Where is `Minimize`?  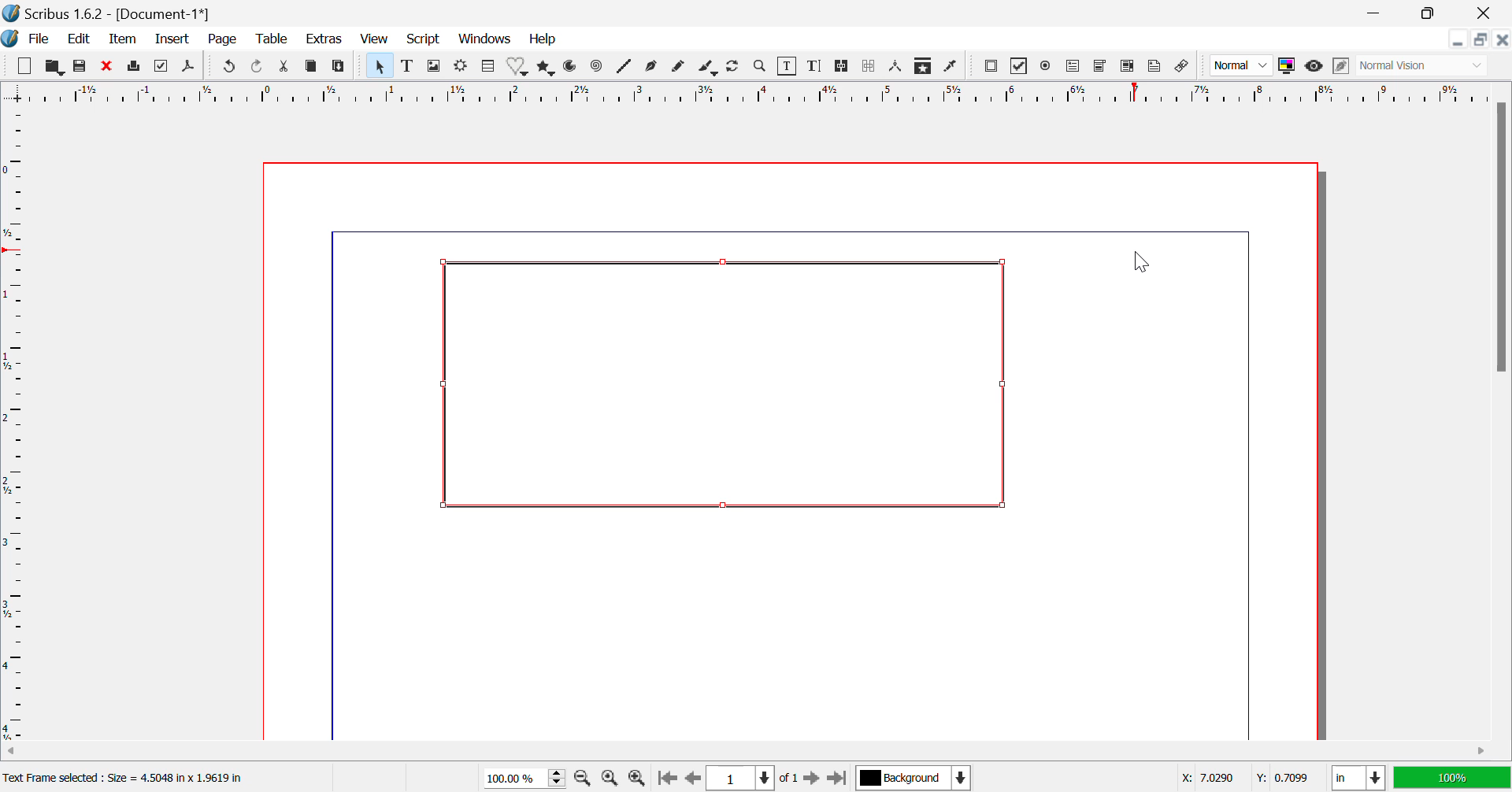 Minimize is located at coordinates (1429, 12).